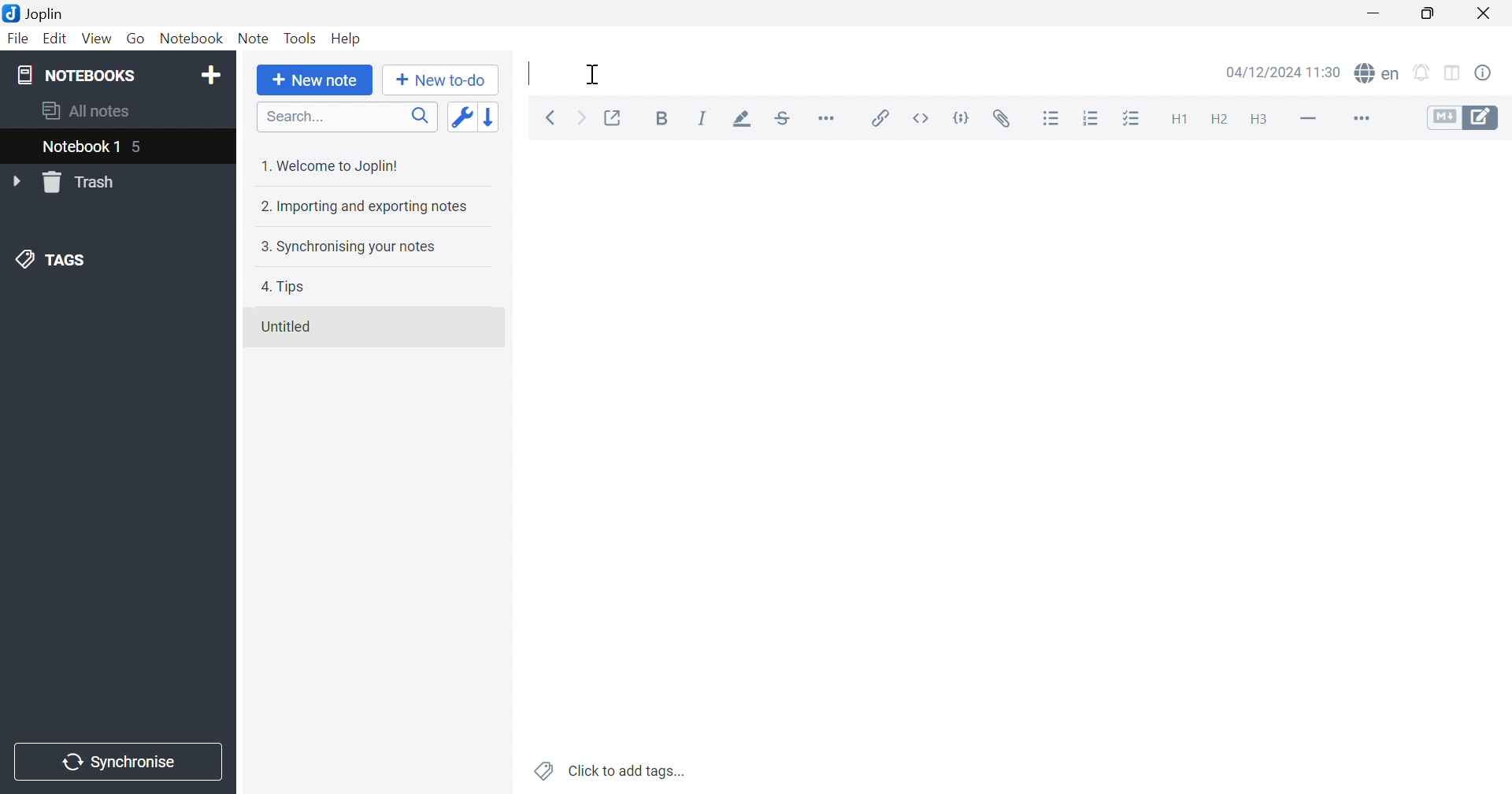 The width and height of the screenshot is (1512, 794). Describe the element at coordinates (439, 78) in the screenshot. I see `New to-do` at that location.